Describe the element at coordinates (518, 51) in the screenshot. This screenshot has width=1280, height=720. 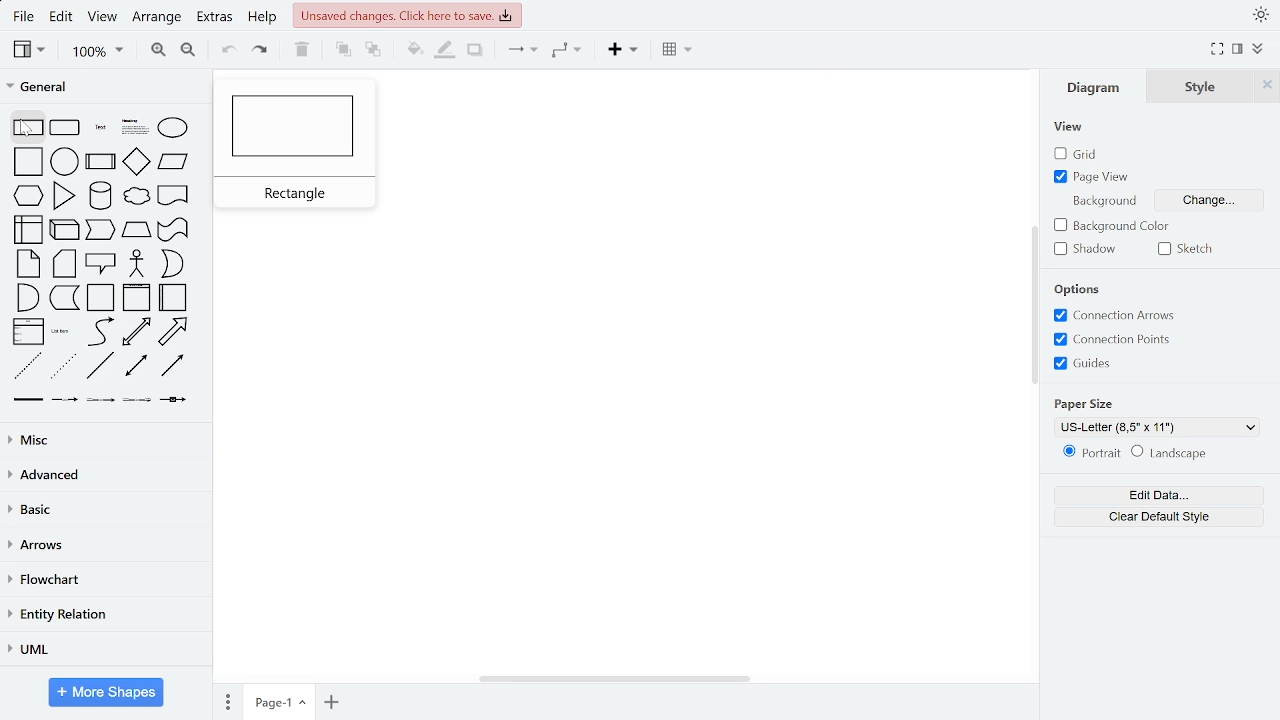
I see `connectors` at that location.